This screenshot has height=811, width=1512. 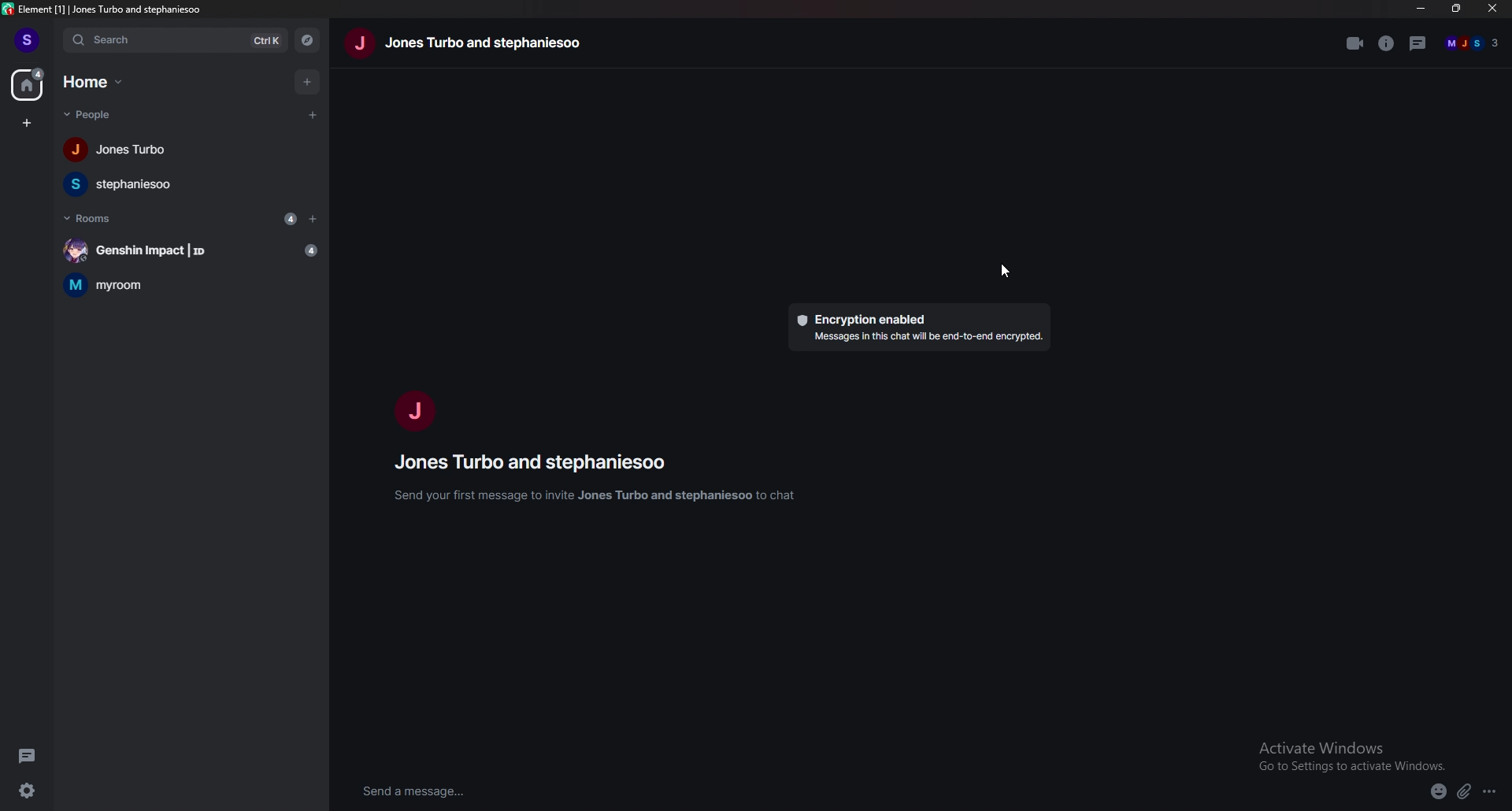 I want to click on emoji, so click(x=1438, y=792).